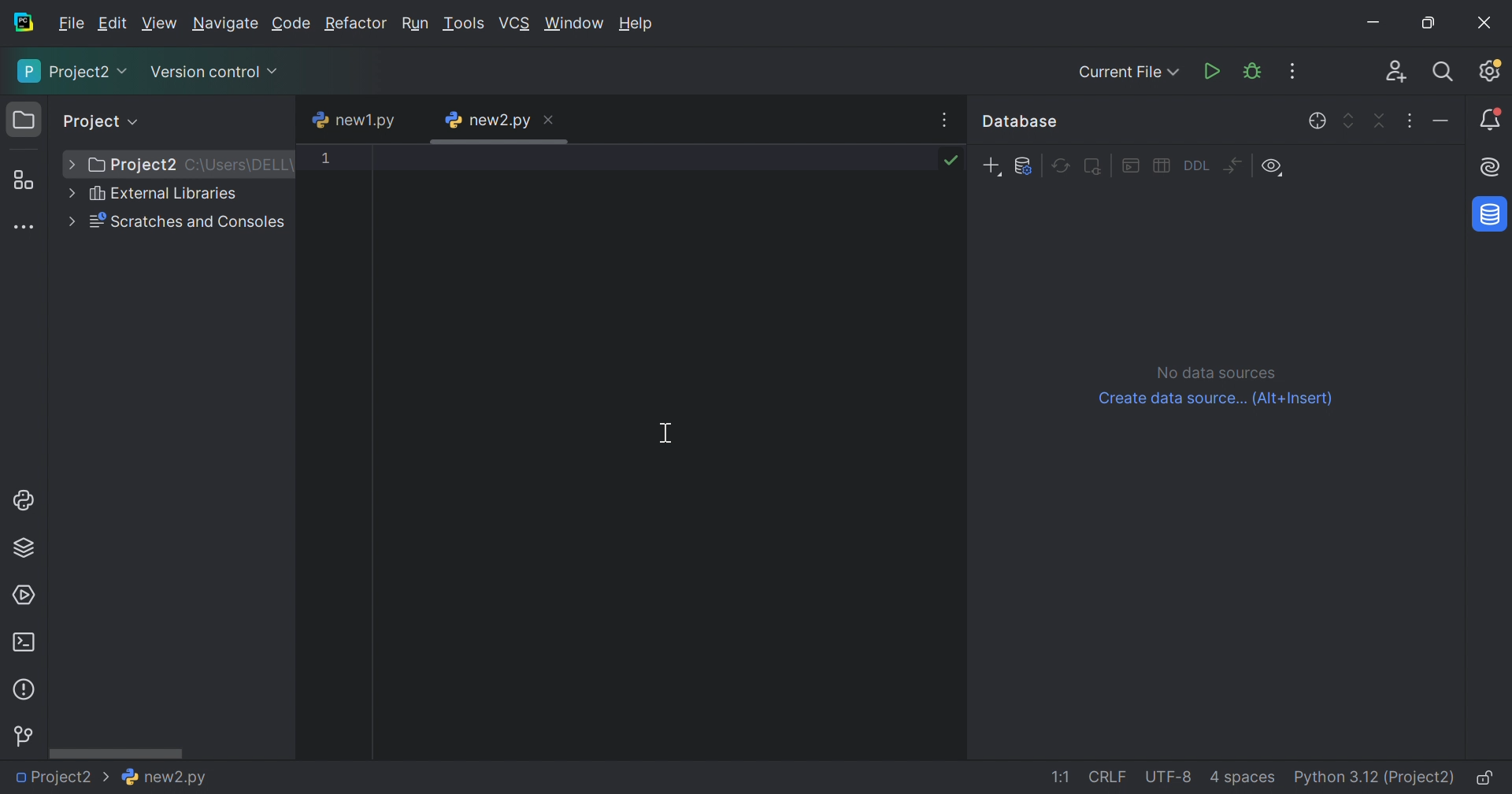 The height and width of the screenshot is (794, 1512). Describe the element at coordinates (325, 160) in the screenshot. I see `1` at that location.